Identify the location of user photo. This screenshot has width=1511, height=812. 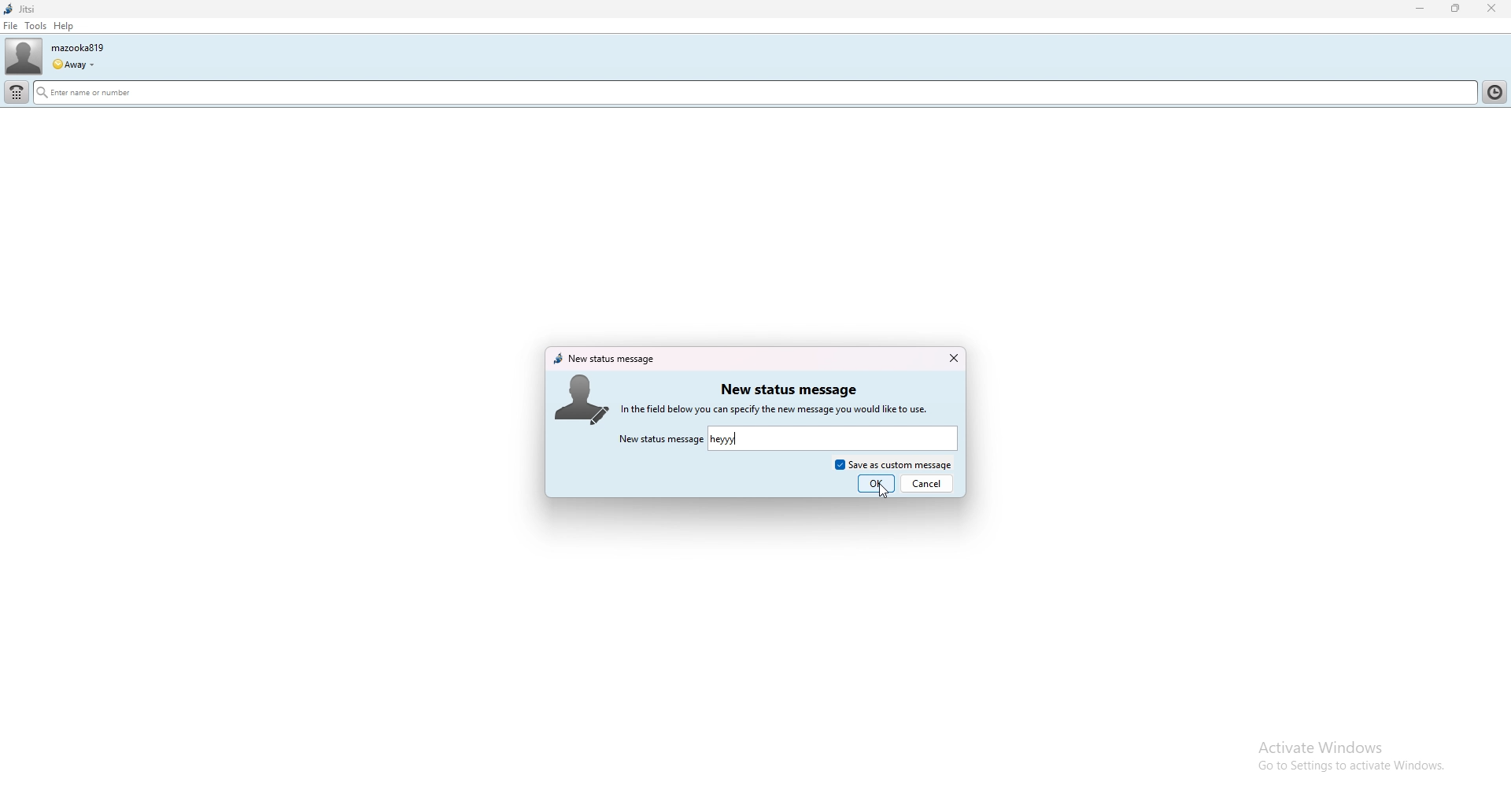
(24, 57).